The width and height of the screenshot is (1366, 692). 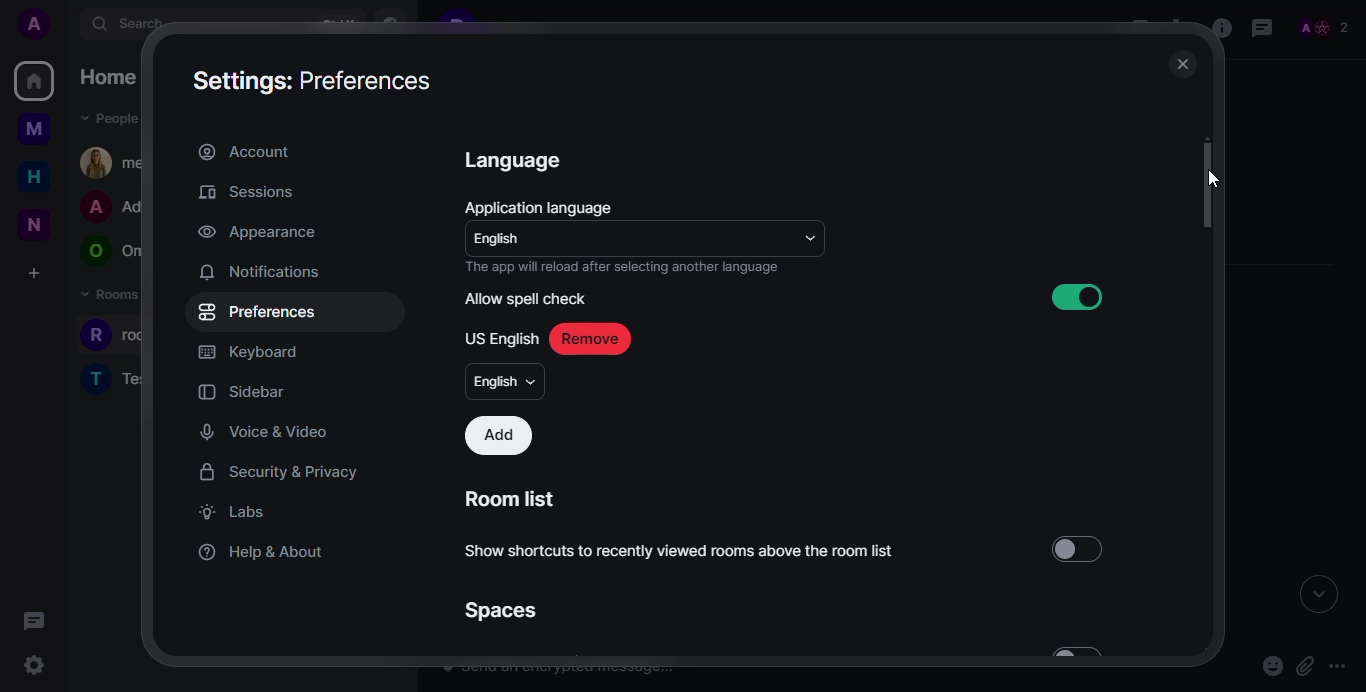 I want to click on Show shortcuts to recently viewed rooms above the room list, so click(x=697, y=557).